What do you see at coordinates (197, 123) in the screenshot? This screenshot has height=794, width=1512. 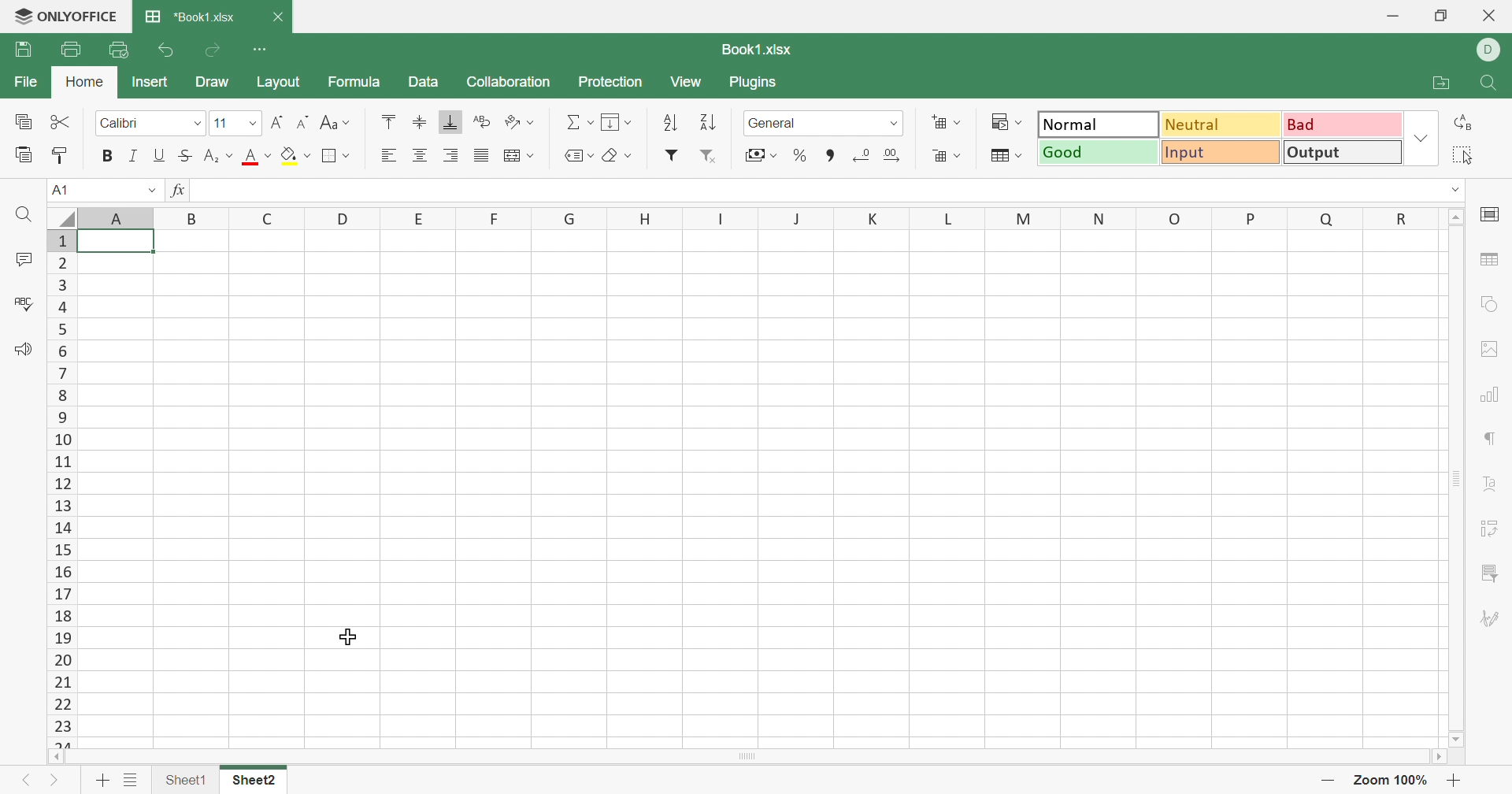 I see `Drop Down` at bounding box center [197, 123].